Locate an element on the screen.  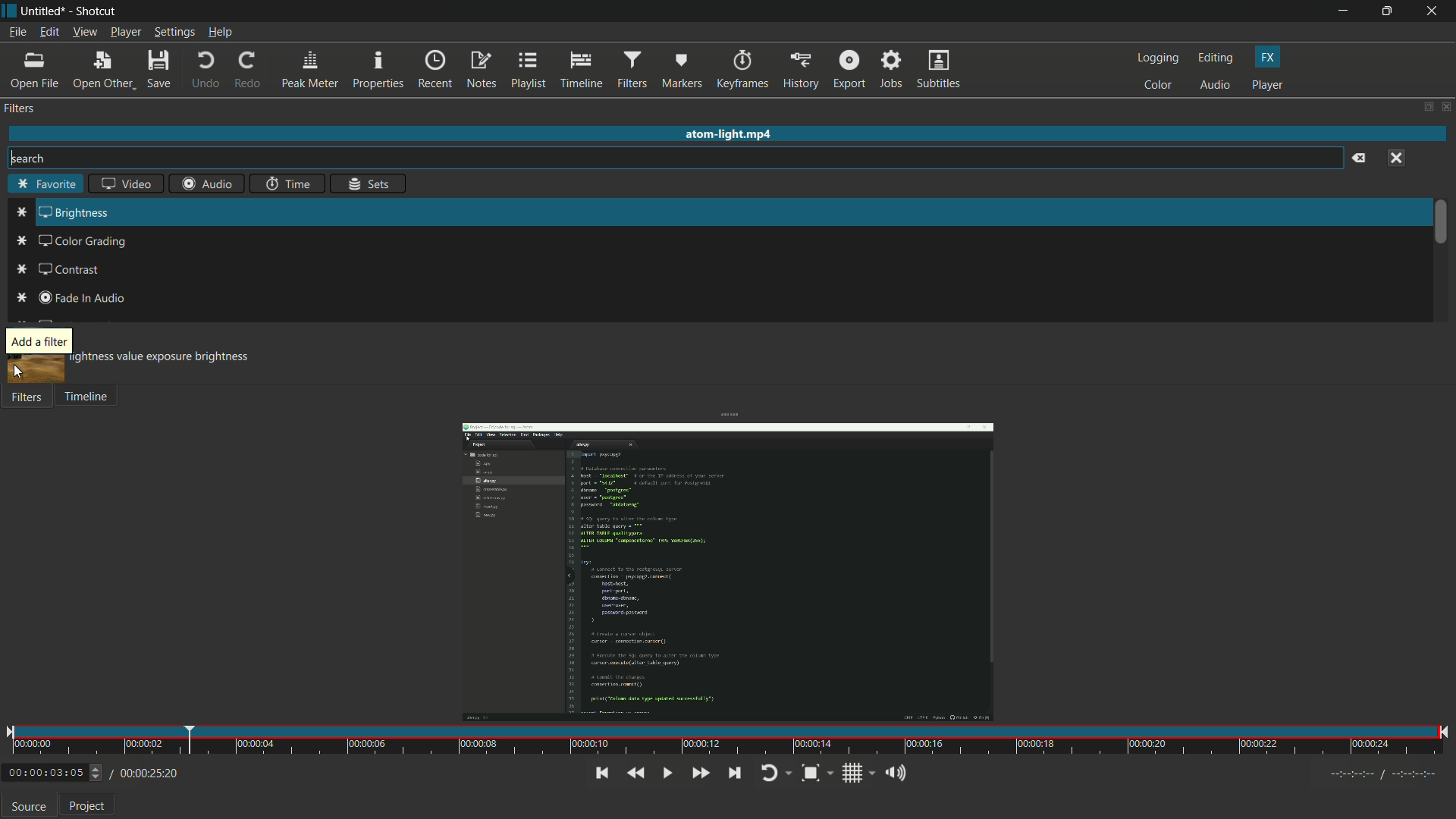
playlist is located at coordinates (531, 71).